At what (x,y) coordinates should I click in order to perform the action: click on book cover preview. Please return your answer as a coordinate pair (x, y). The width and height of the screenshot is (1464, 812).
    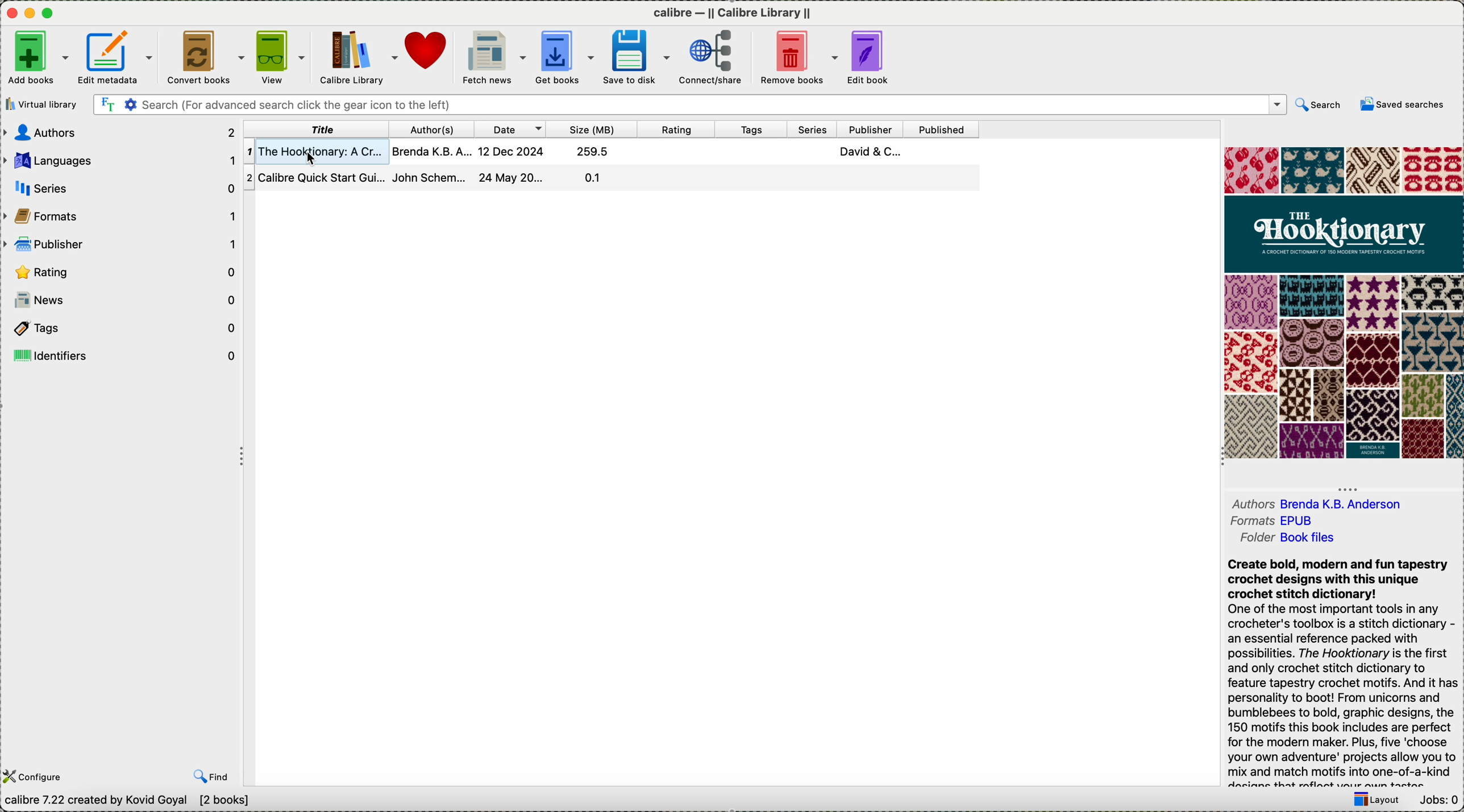
    Looking at the image, I should click on (1342, 303).